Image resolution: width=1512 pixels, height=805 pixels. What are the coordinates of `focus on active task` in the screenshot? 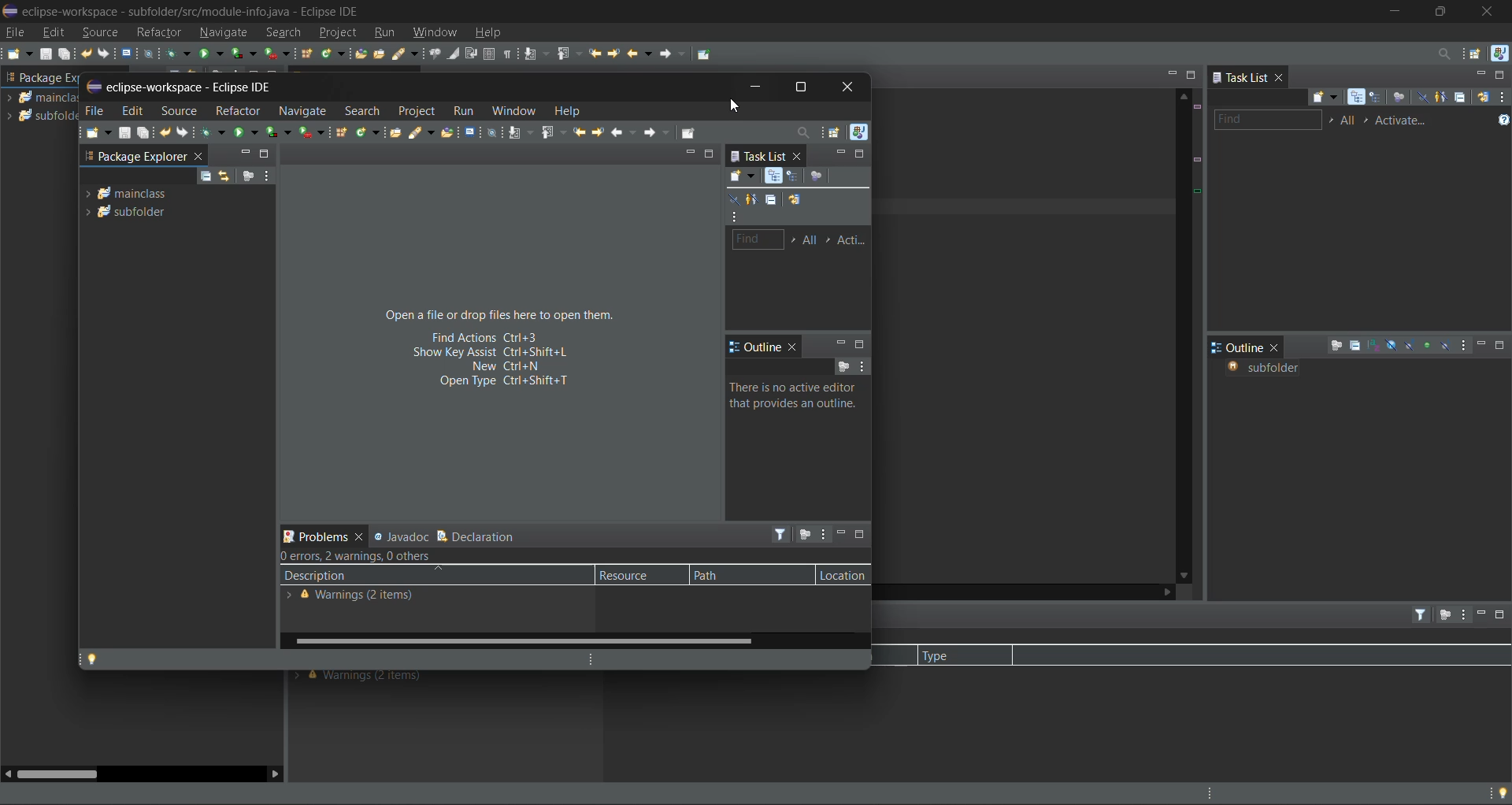 It's located at (1445, 614).